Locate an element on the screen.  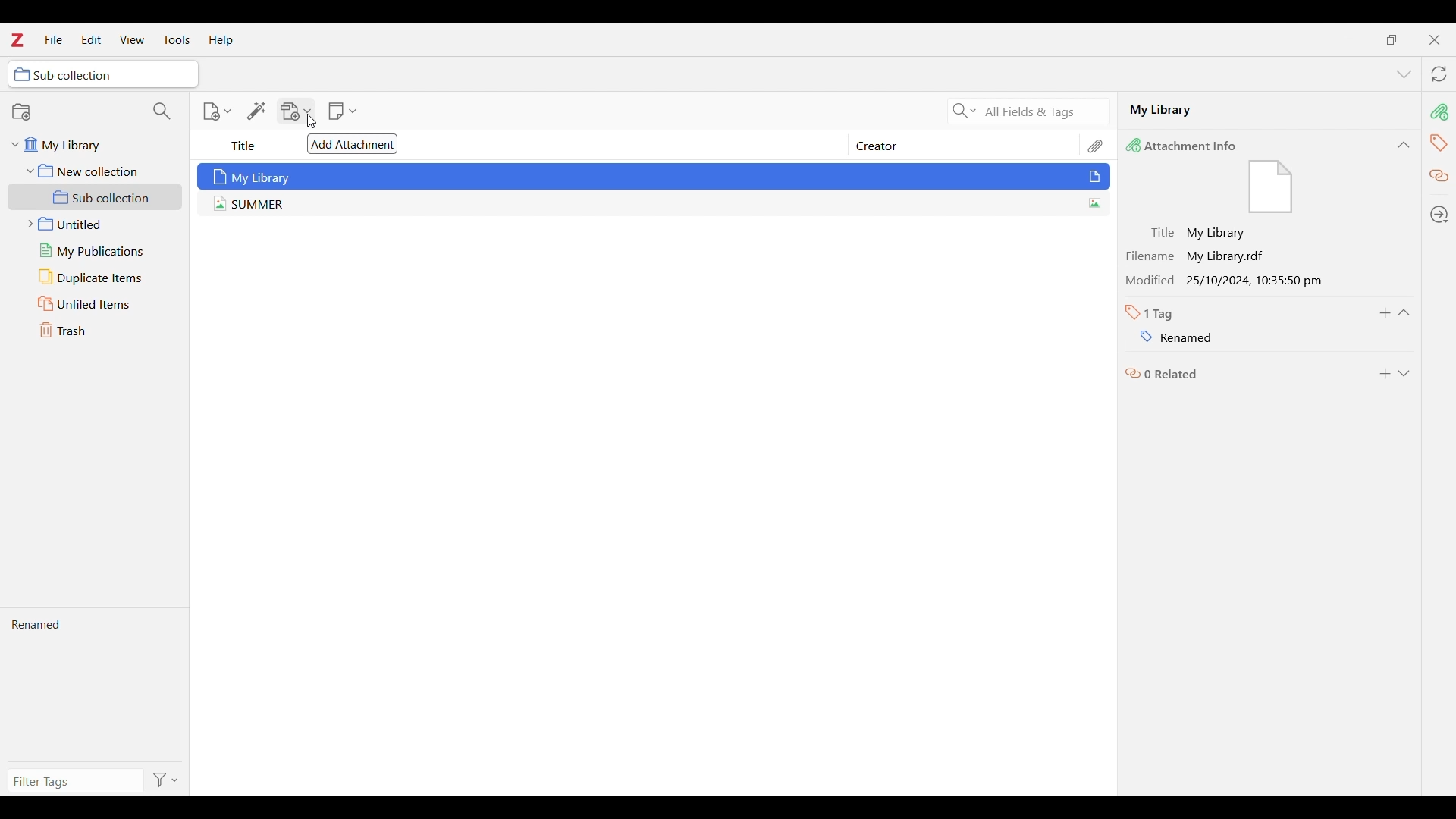
Add is located at coordinates (1385, 374).